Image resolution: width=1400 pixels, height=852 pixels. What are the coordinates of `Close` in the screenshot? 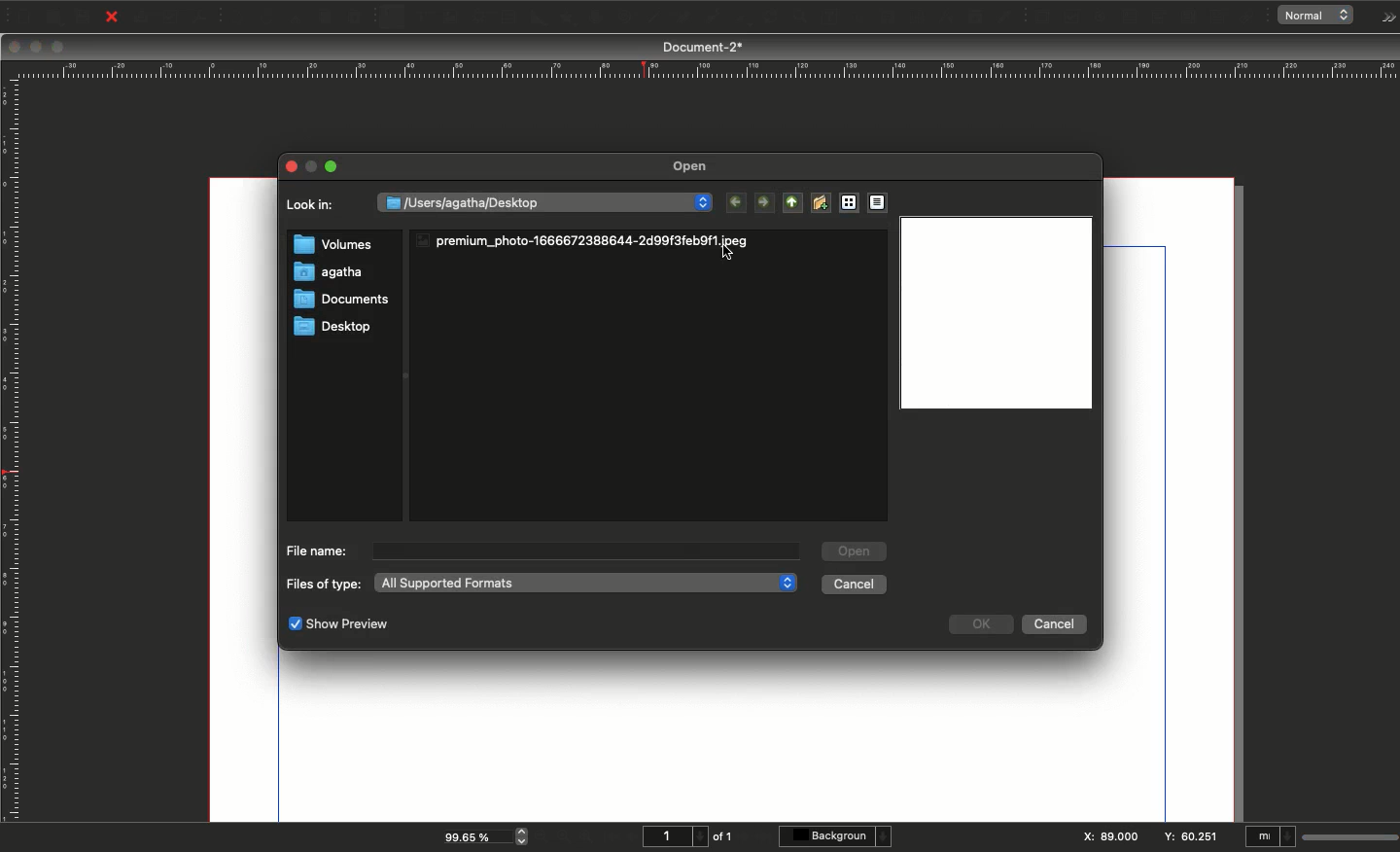 It's located at (291, 163).